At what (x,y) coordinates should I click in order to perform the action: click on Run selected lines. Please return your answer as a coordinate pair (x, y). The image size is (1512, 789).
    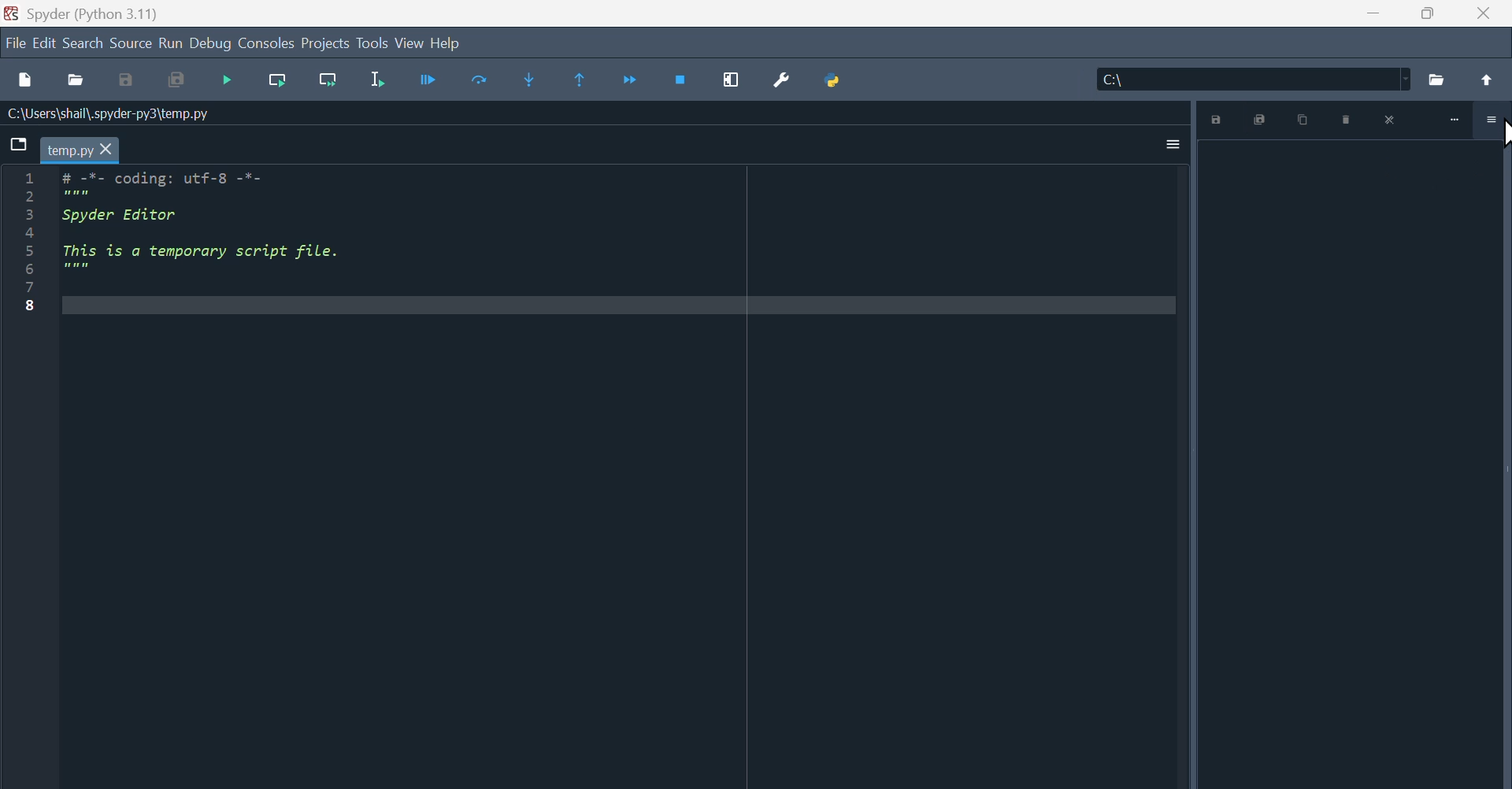
    Looking at the image, I should click on (485, 80).